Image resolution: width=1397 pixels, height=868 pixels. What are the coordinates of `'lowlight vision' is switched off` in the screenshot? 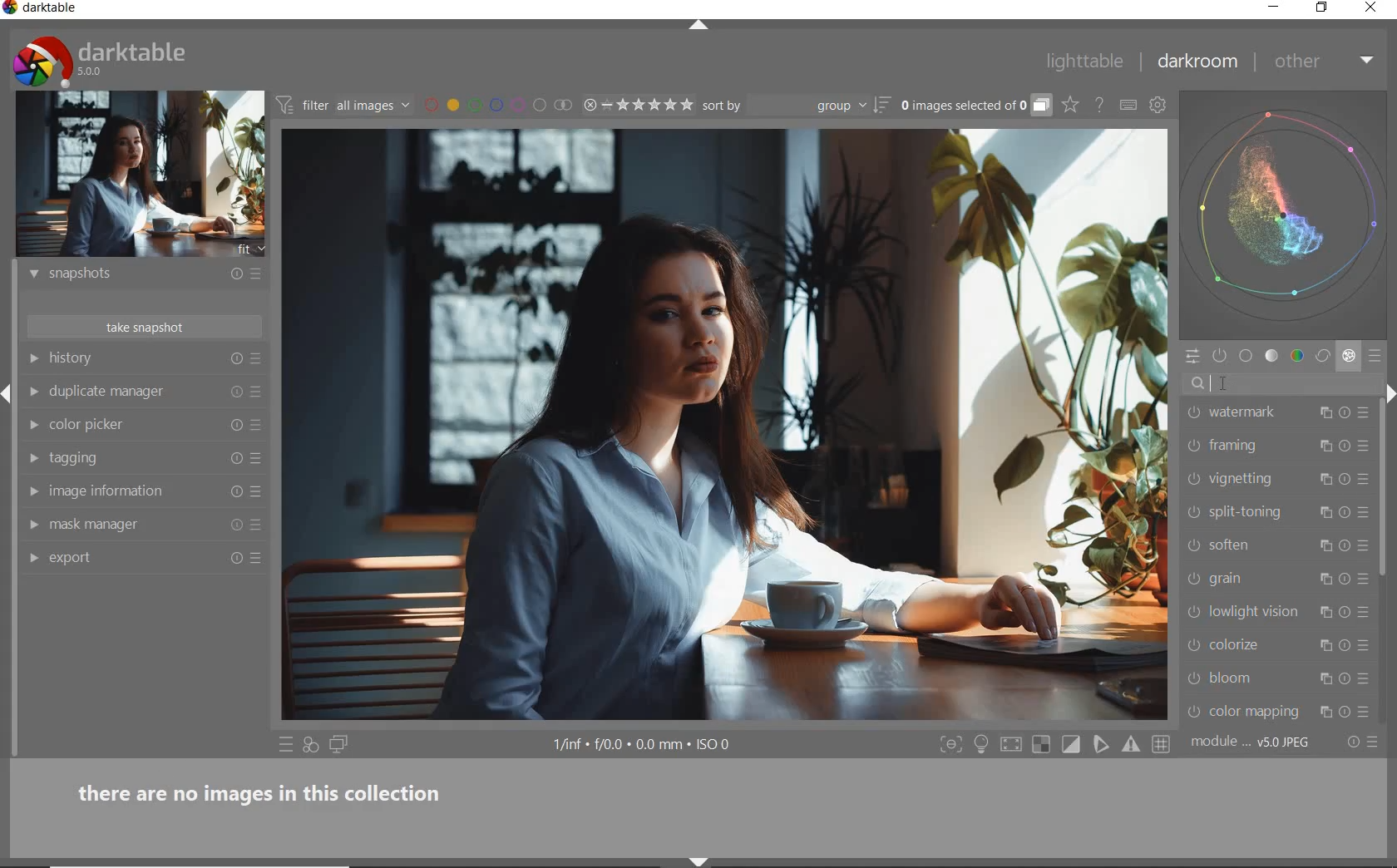 It's located at (1194, 610).